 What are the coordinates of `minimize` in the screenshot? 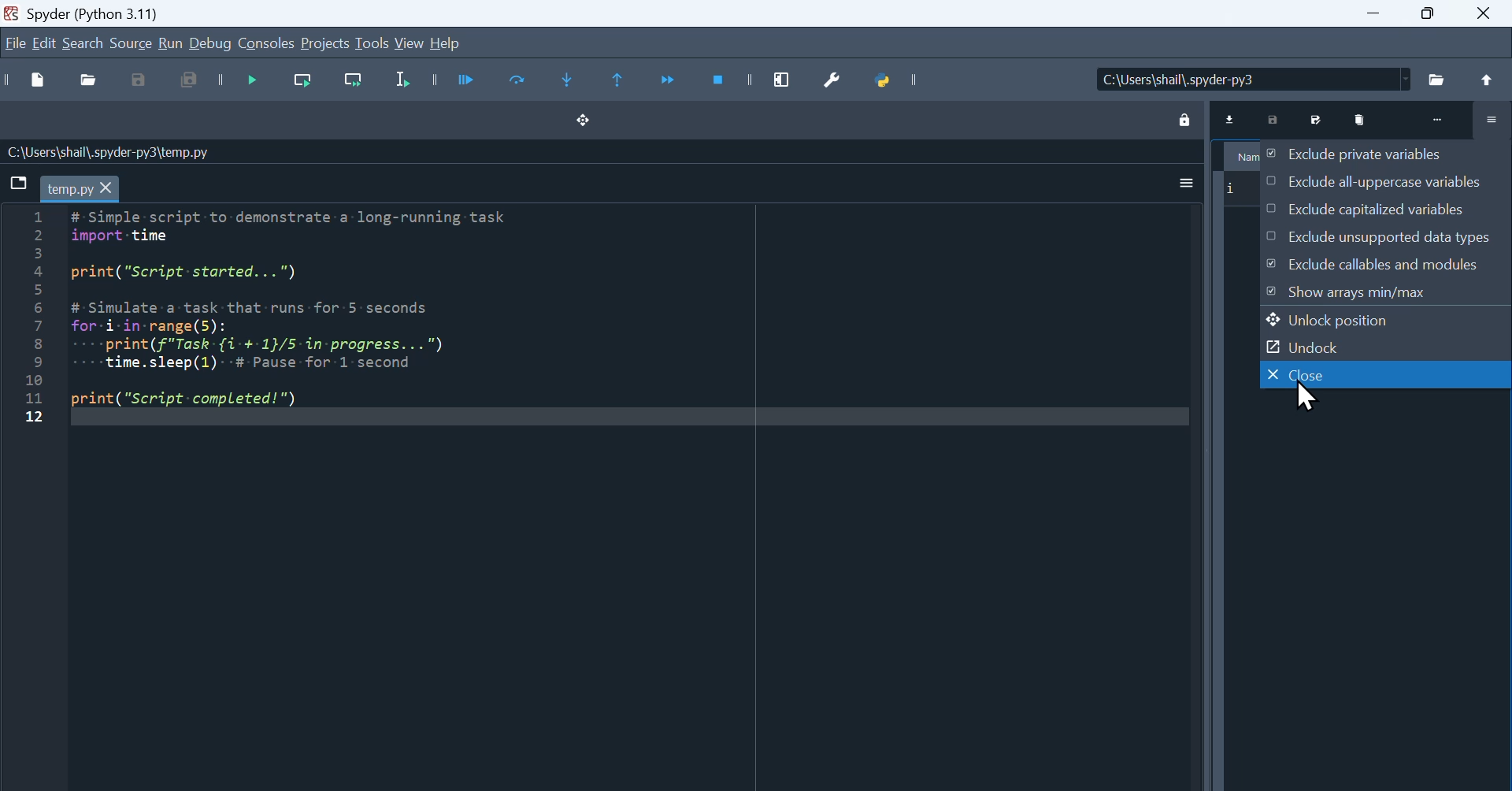 It's located at (1371, 15).